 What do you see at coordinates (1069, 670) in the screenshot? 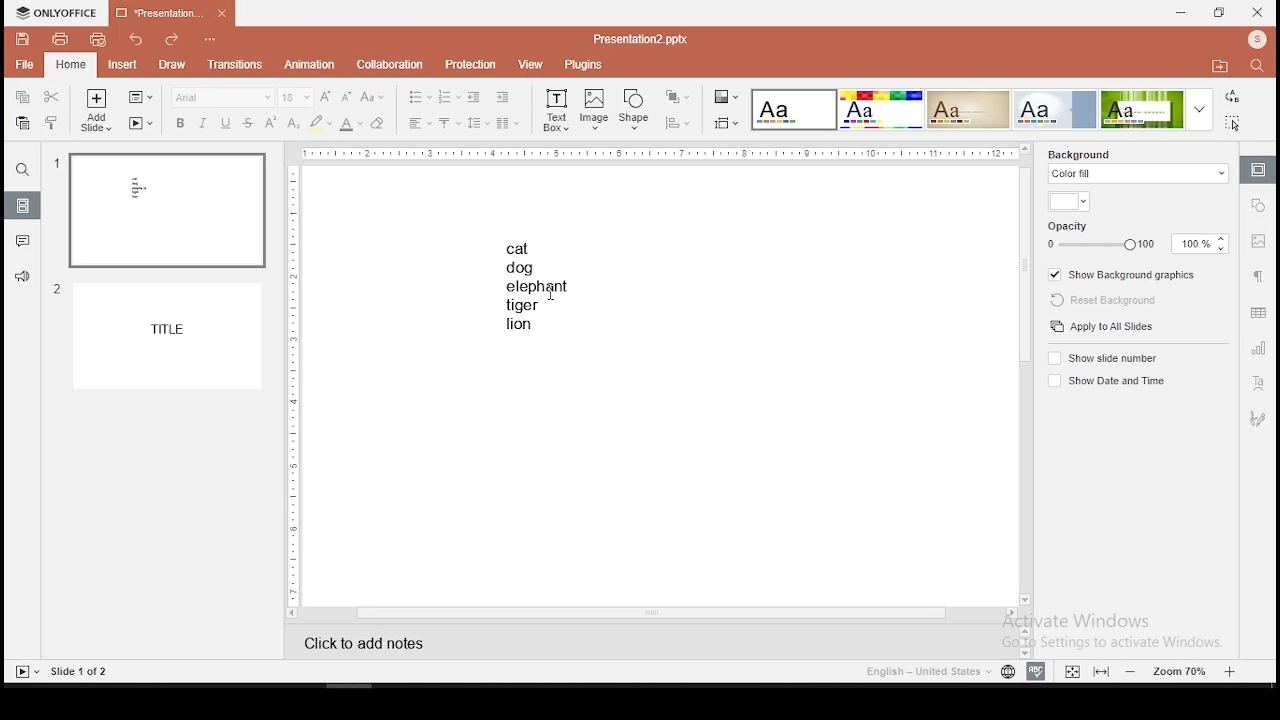
I see `fit to width` at bounding box center [1069, 670].